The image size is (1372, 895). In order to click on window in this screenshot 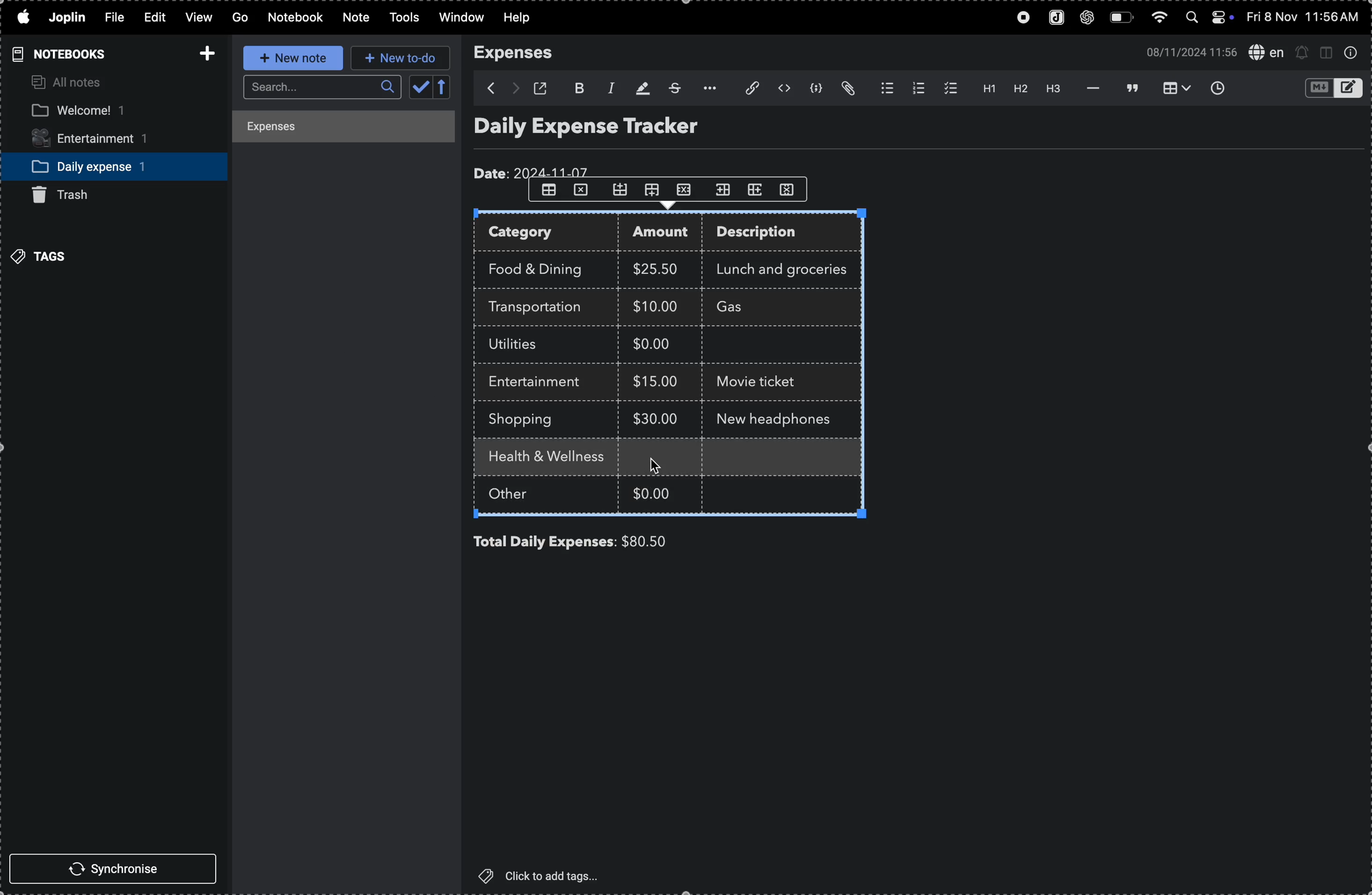, I will do `click(460, 18)`.